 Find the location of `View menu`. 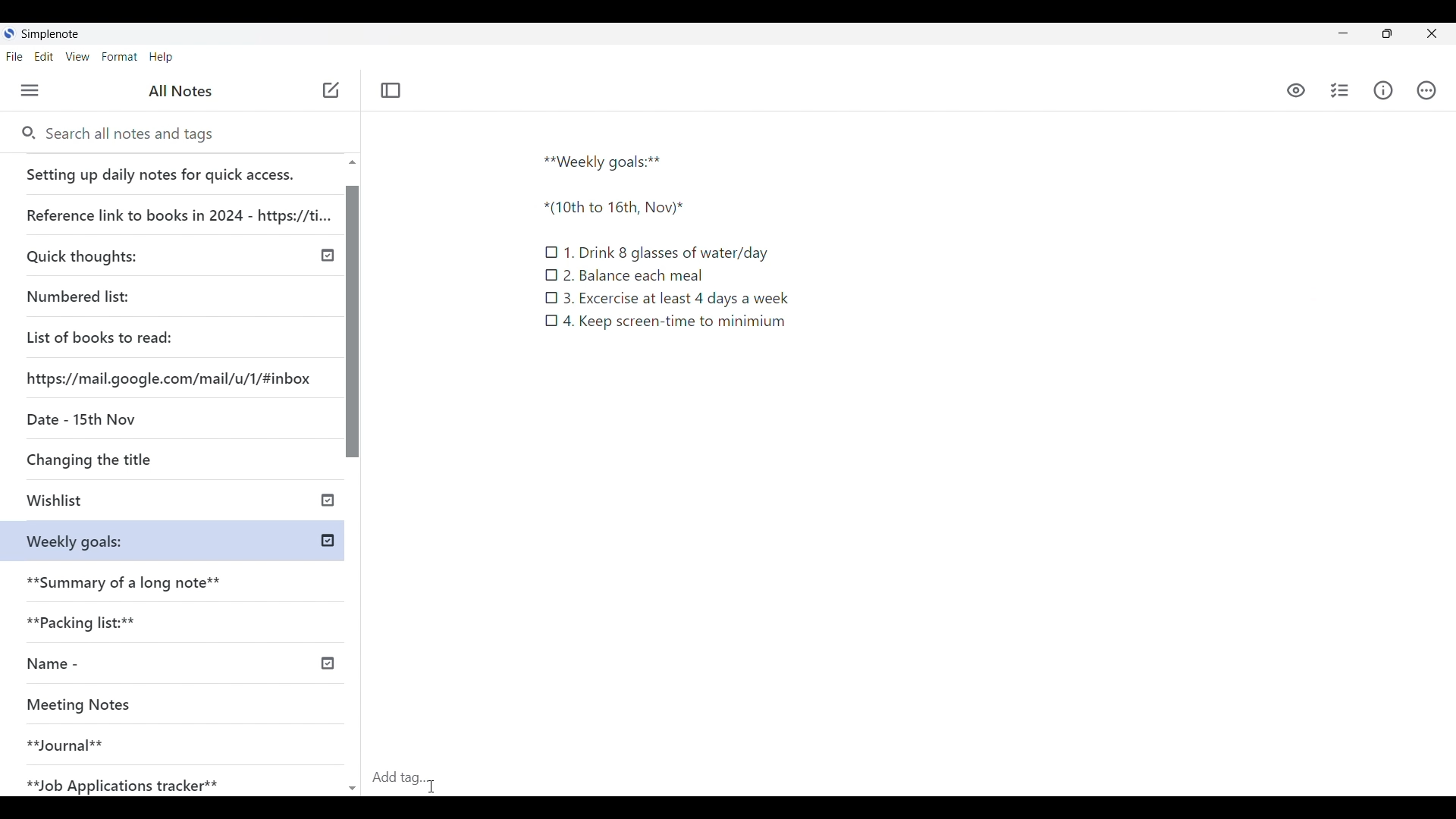

View menu is located at coordinates (77, 57).